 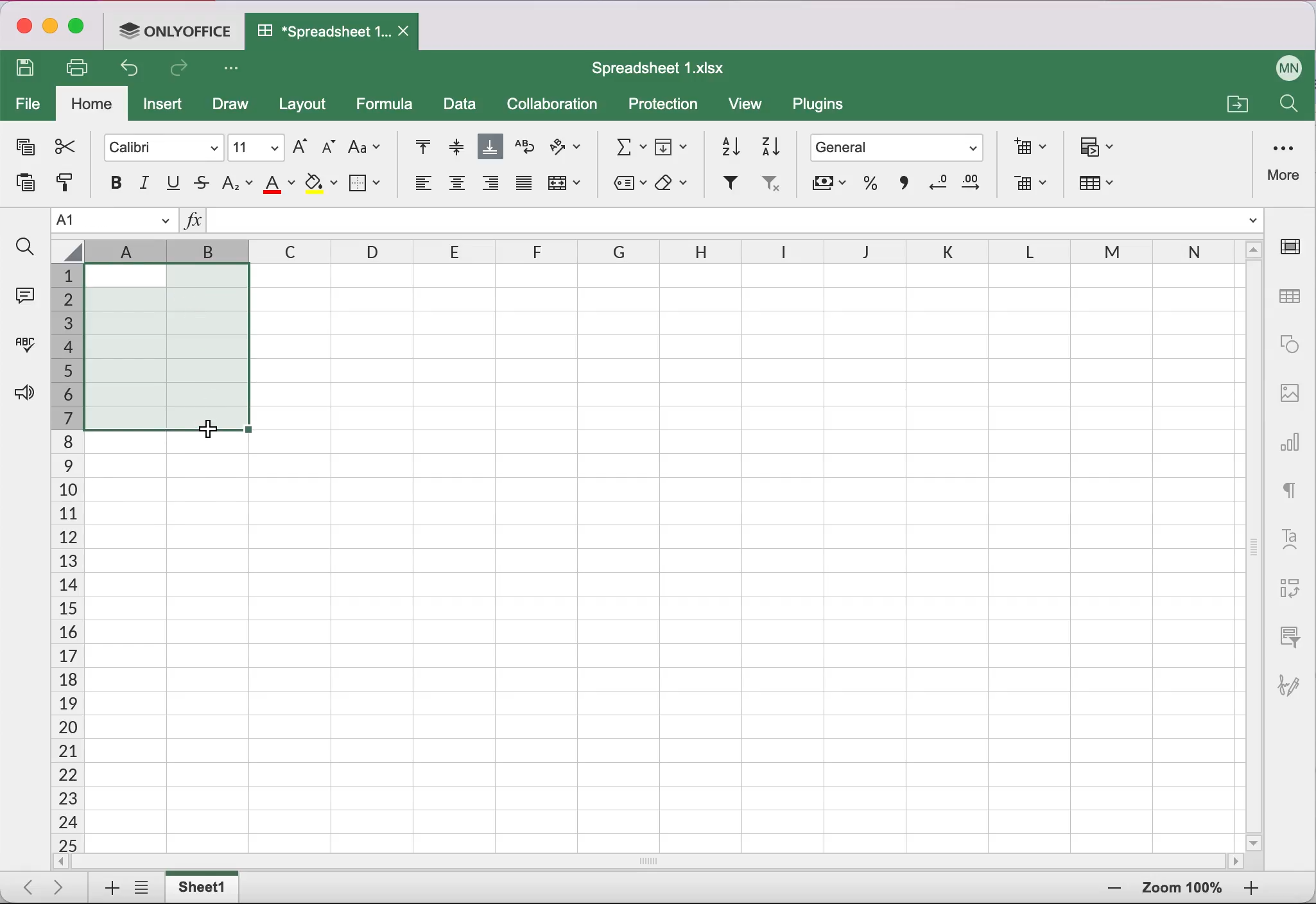 What do you see at coordinates (229, 106) in the screenshot?
I see `draw` at bounding box center [229, 106].